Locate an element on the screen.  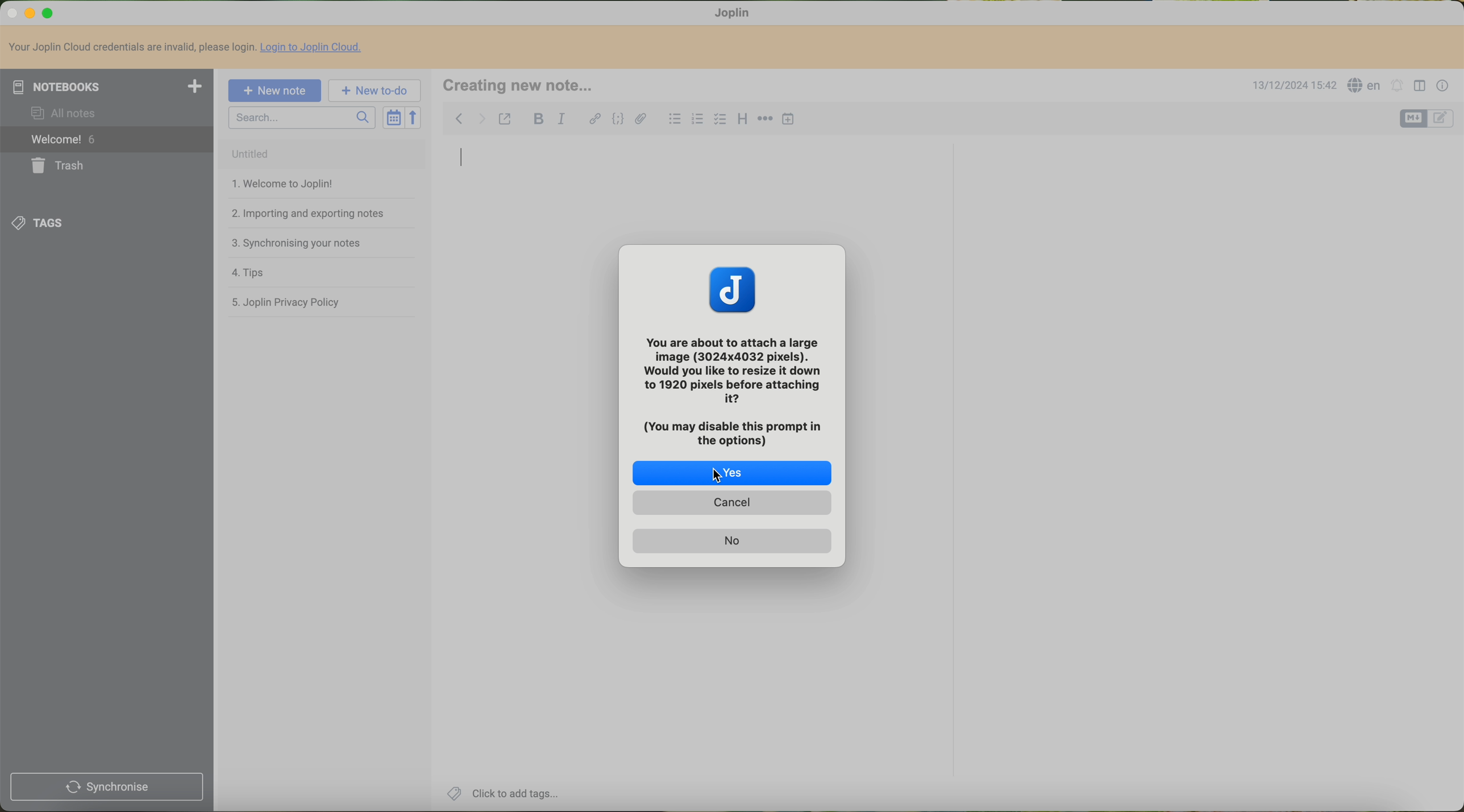
typing is located at coordinates (462, 161).